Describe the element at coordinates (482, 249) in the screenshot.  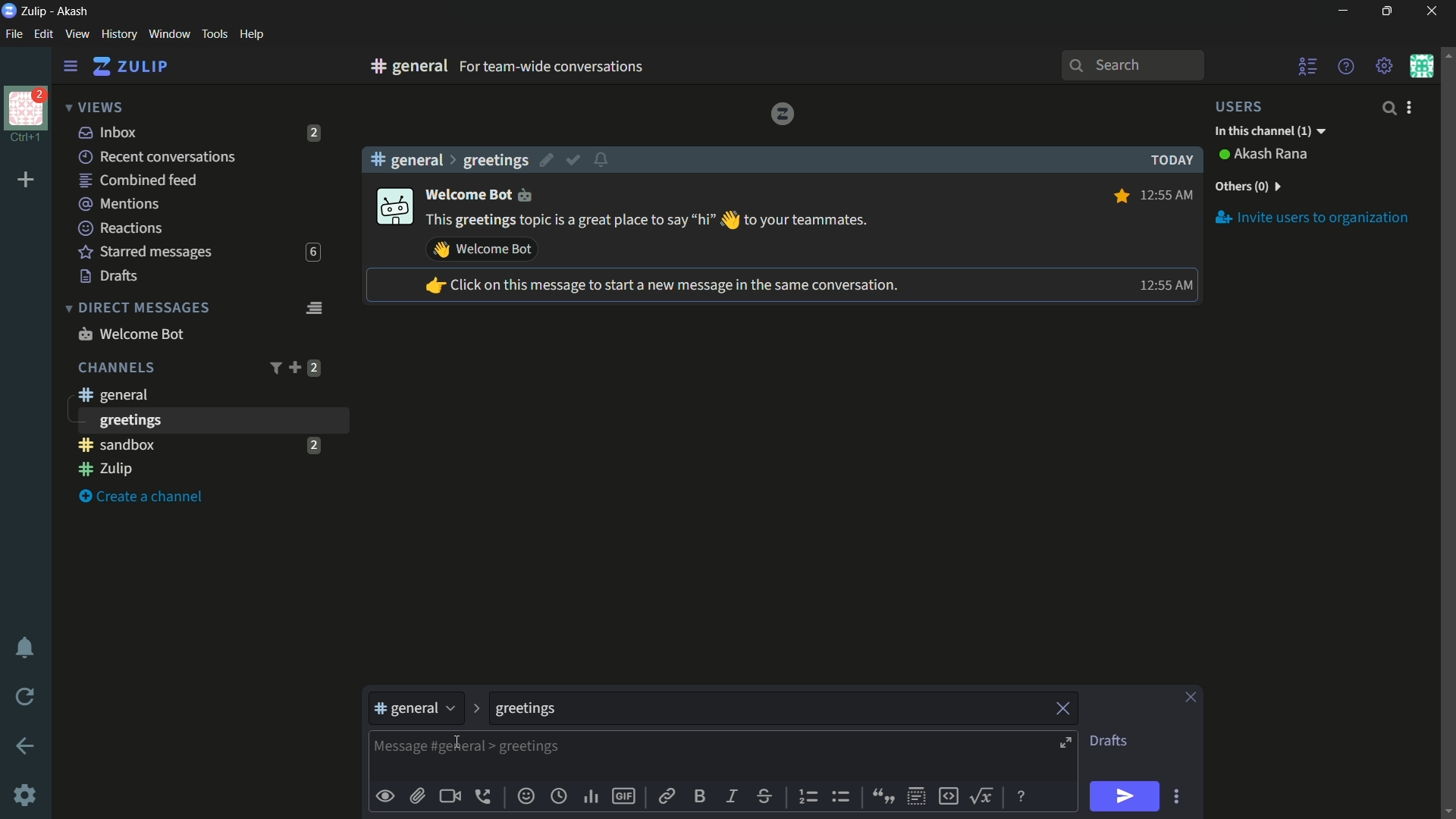
I see `Send wave emoji to welcome bot` at that location.